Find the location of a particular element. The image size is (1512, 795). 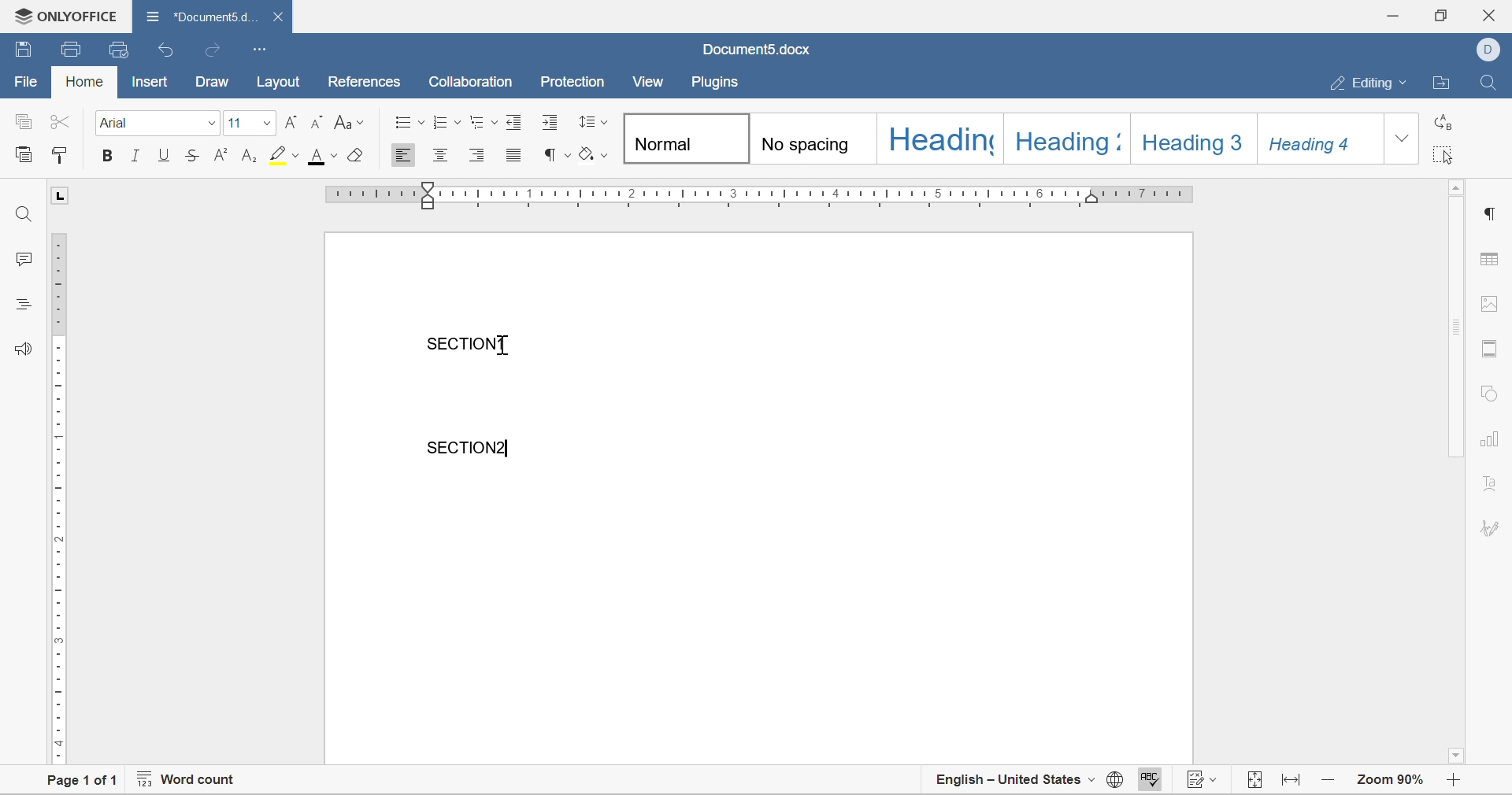

signature settings is located at coordinates (1493, 527).